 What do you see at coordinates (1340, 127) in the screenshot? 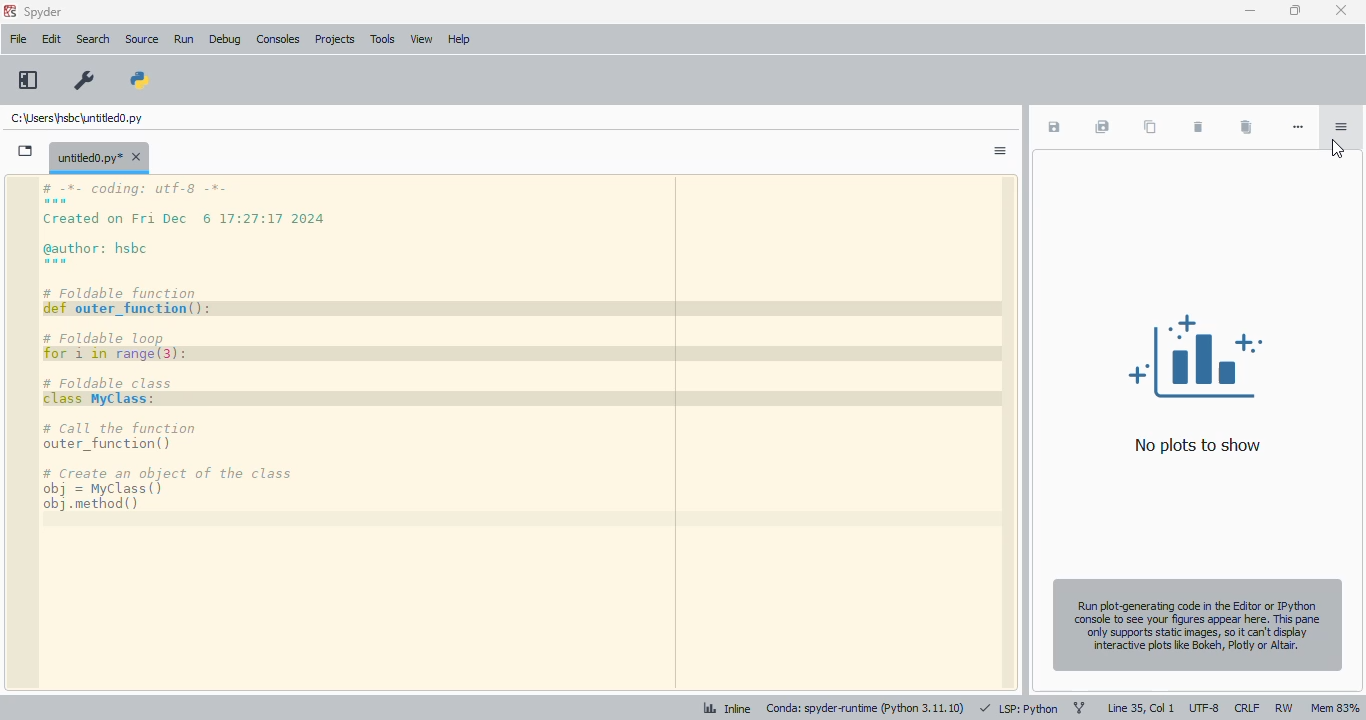
I see `options` at bounding box center [1340, 127].